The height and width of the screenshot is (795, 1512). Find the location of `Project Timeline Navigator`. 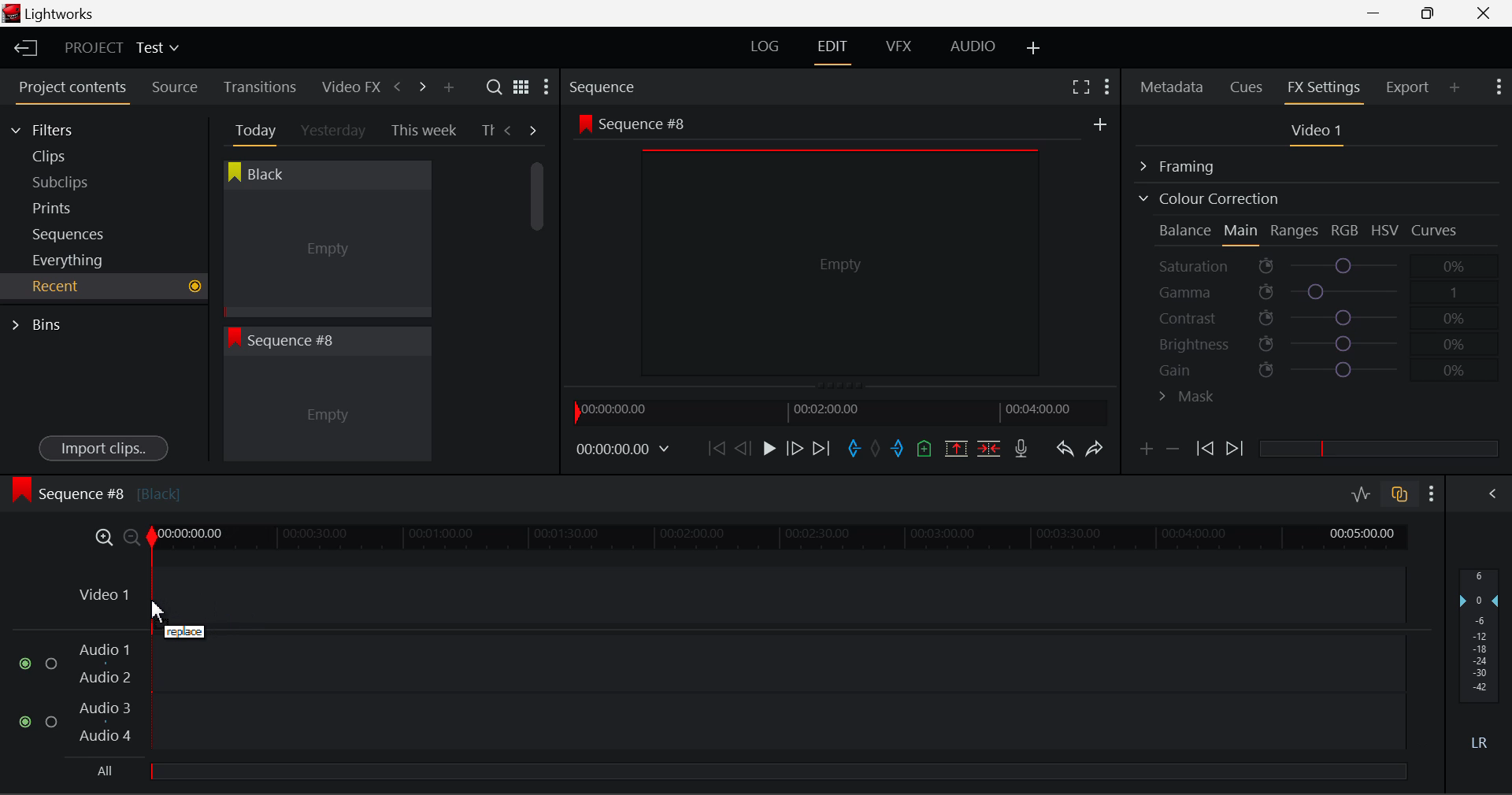

Project Timeline Navigator is located at coordinates (838, 412).